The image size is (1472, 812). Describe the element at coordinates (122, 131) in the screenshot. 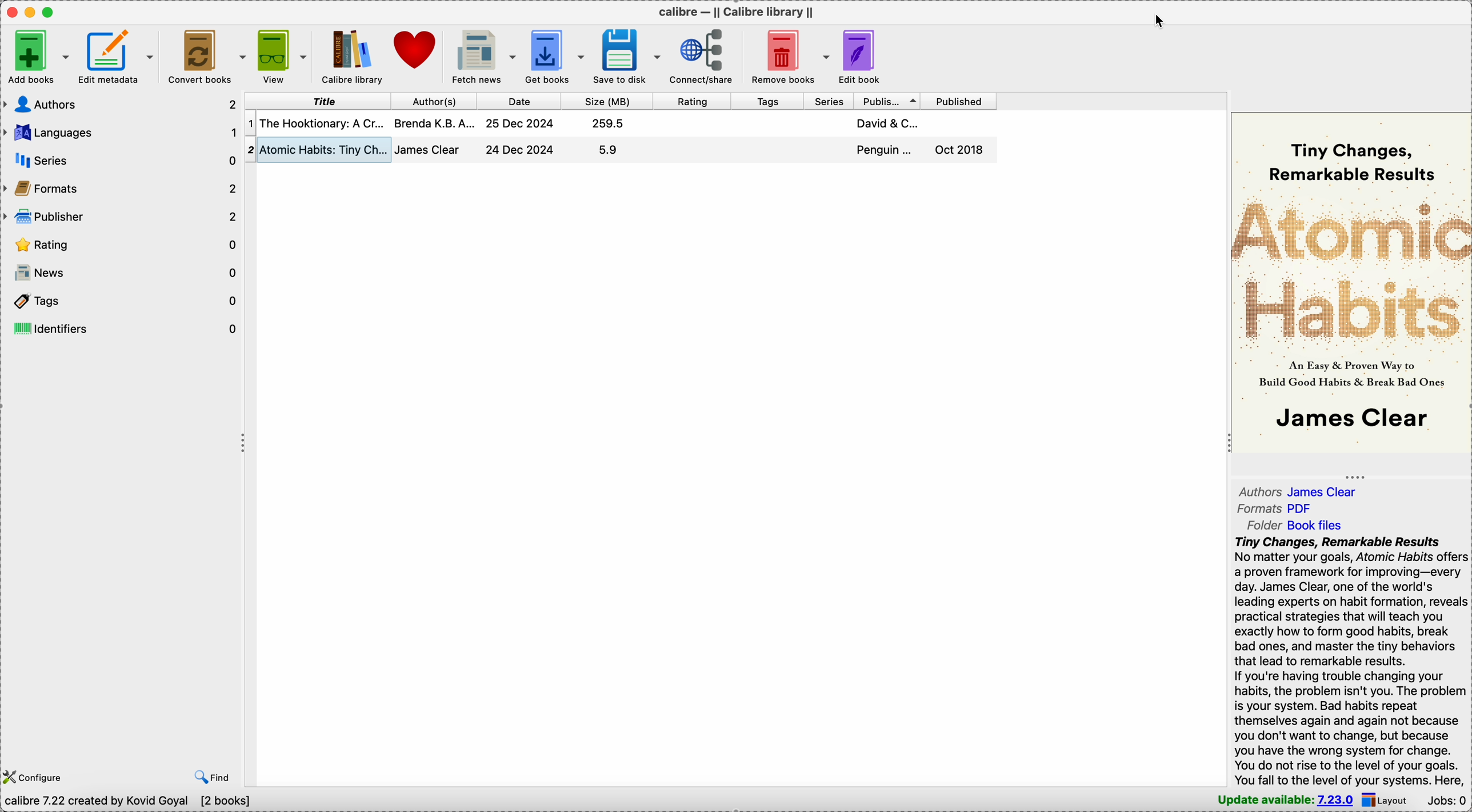

I see `languages` at that location.